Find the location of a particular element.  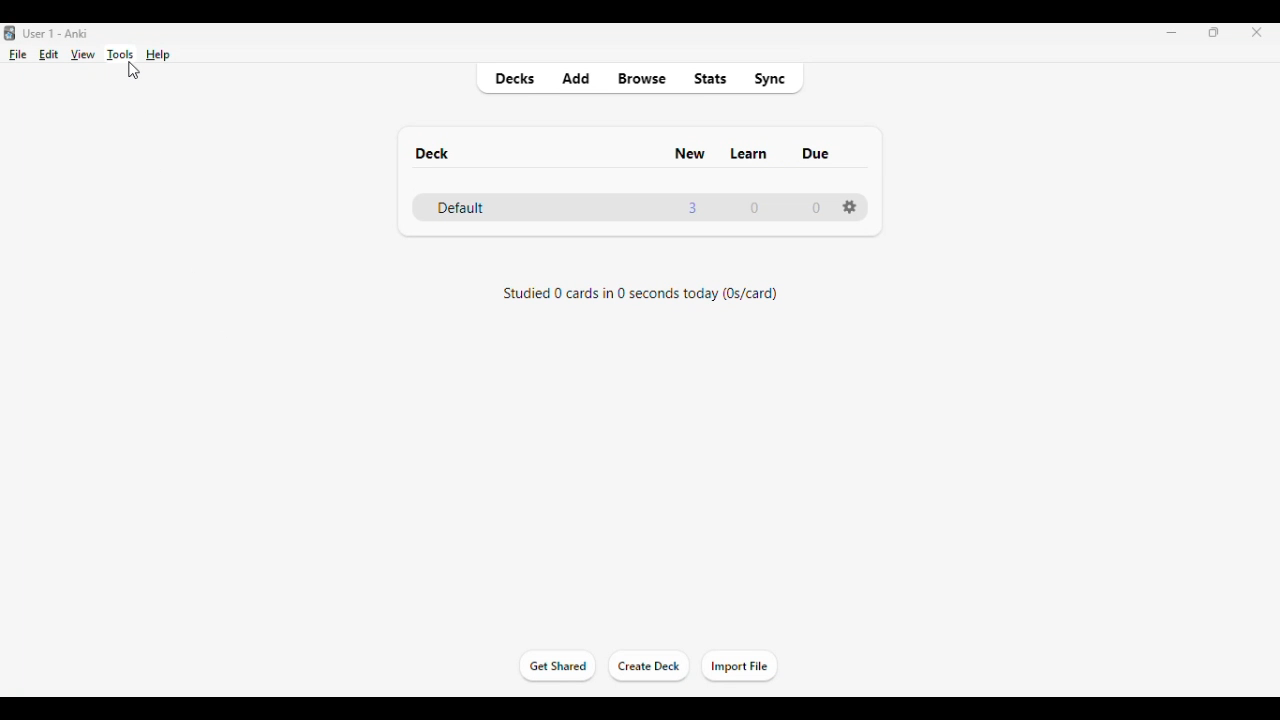

due is located at coordinates (816, 154).